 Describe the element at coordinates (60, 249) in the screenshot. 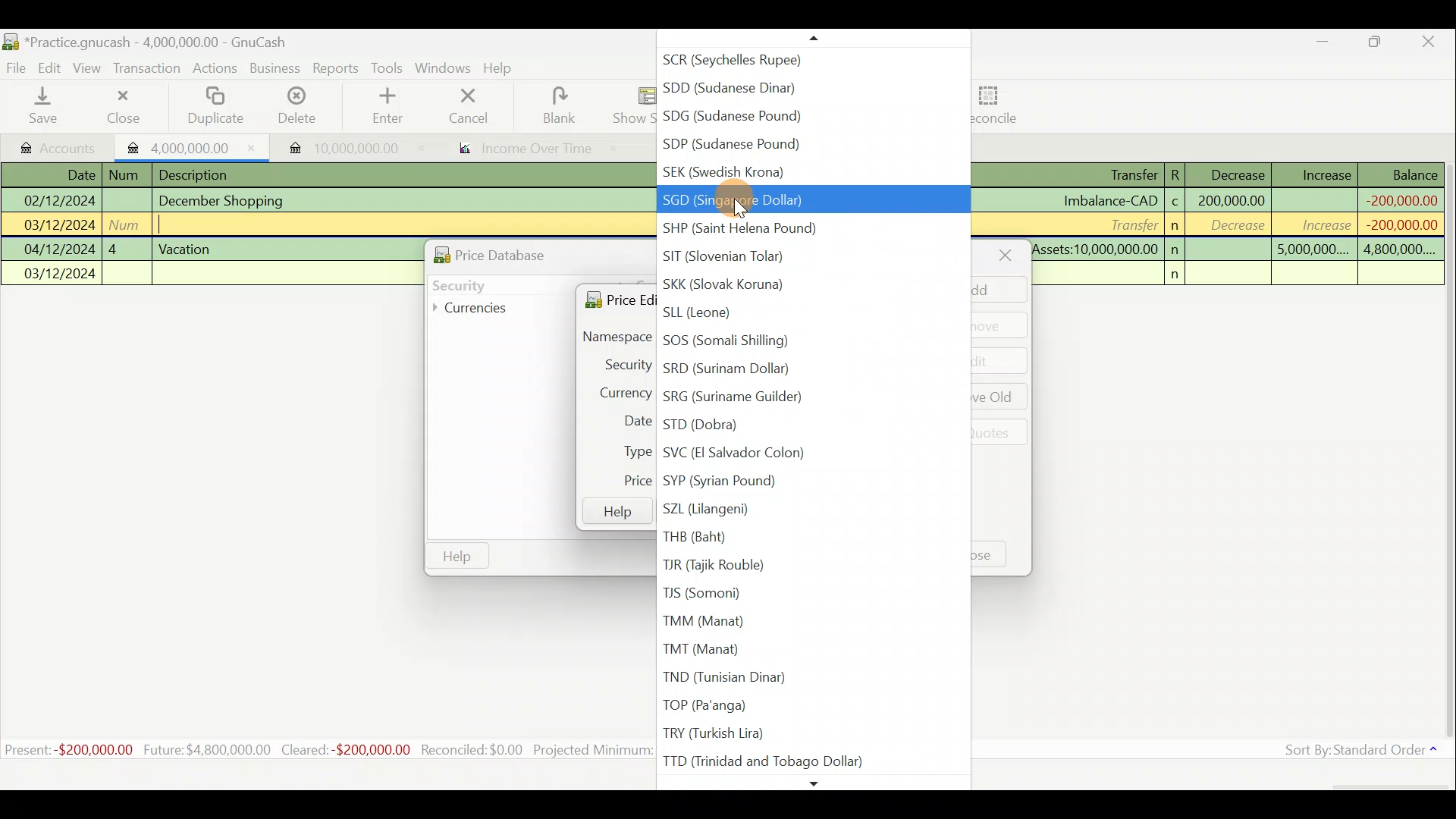

I see `04/12/2024` at that location.